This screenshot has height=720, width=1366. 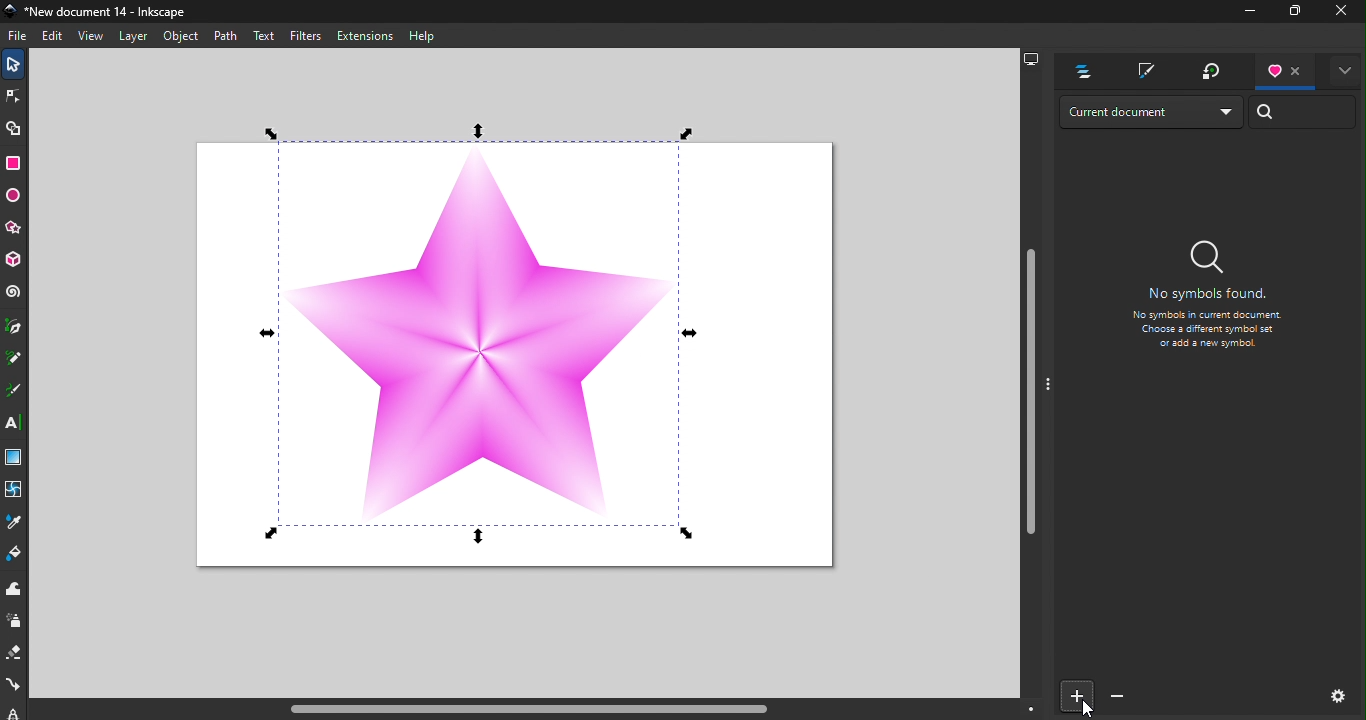 What do you see at coordinates (14, 357) in the screenshot?
I see `Pencil tool` at bounding box center [14, 357].